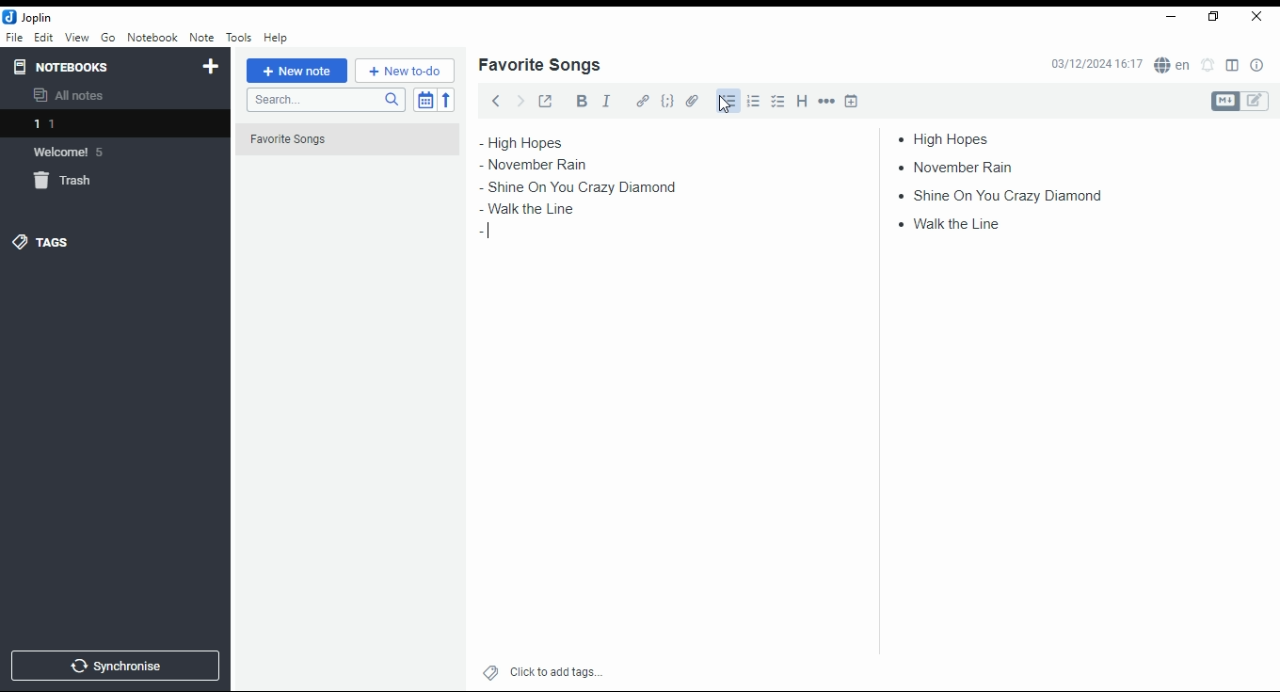  Describe the element at coordinates (556, 669) in the screenshot. I see `click to add tags` at that location.